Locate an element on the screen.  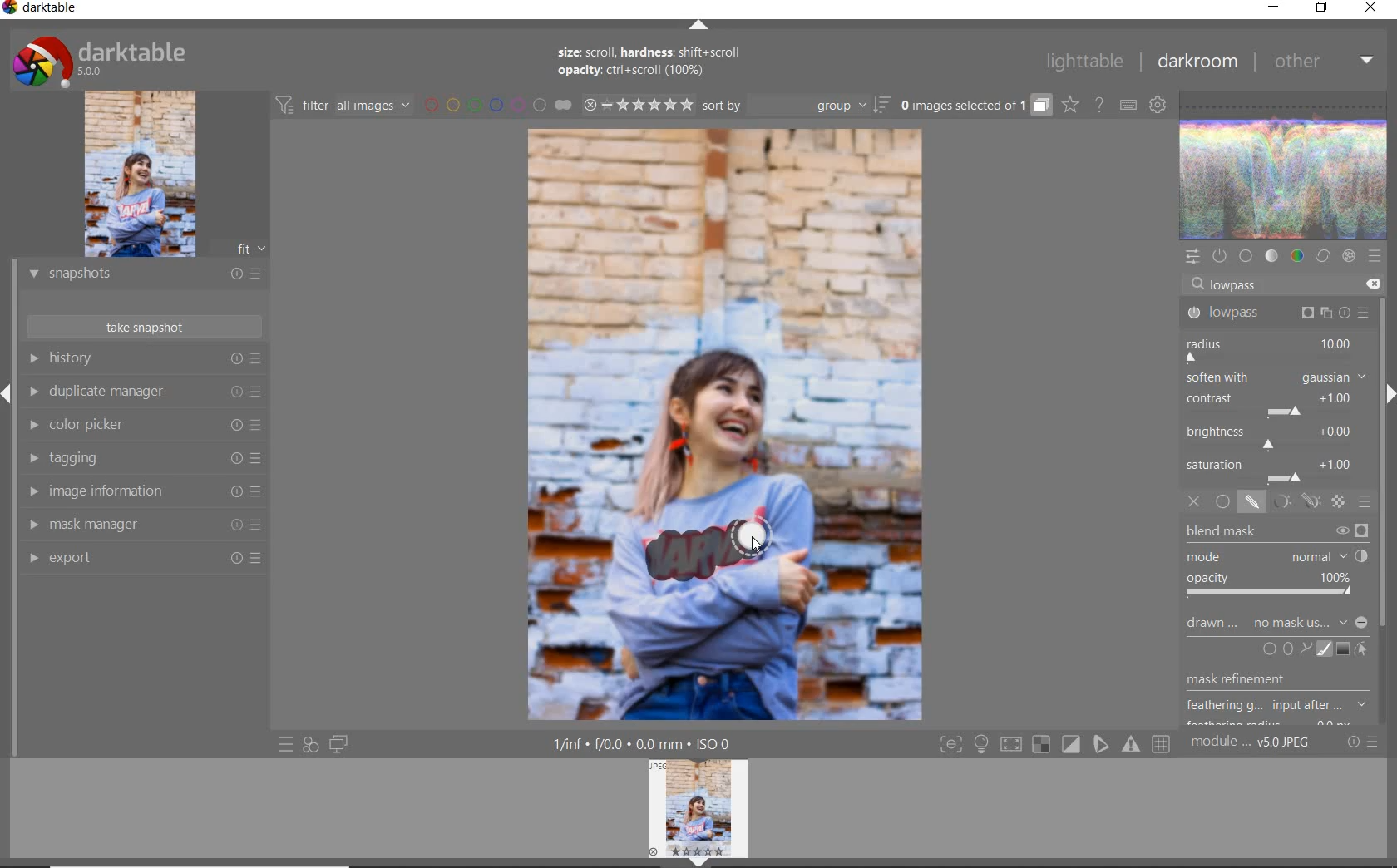
show only active modules is located at coordinates (1220, 257).